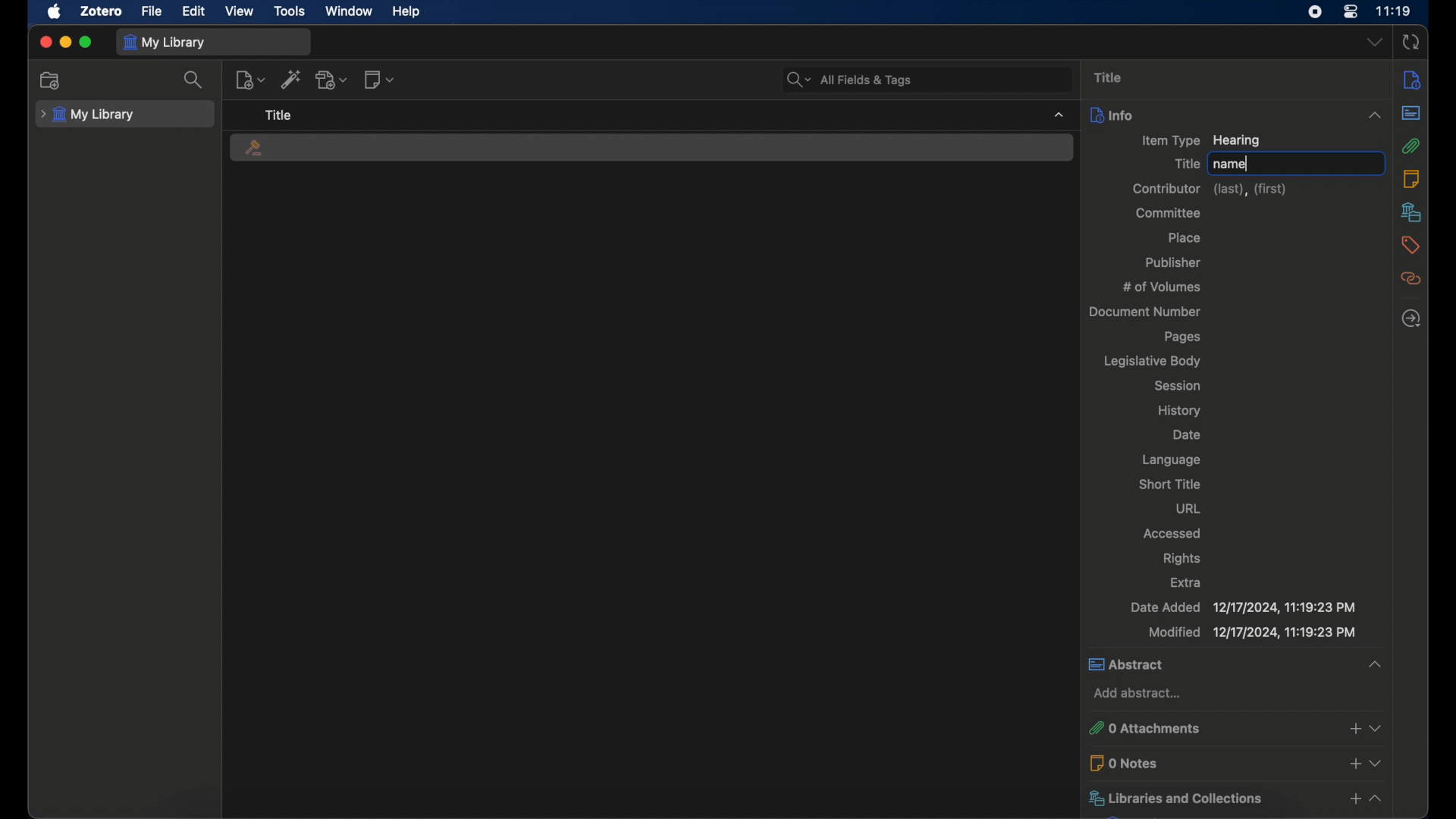 The height and width of the screenshot is (819, 1456). I want to click on hearing, so click(256, 149).